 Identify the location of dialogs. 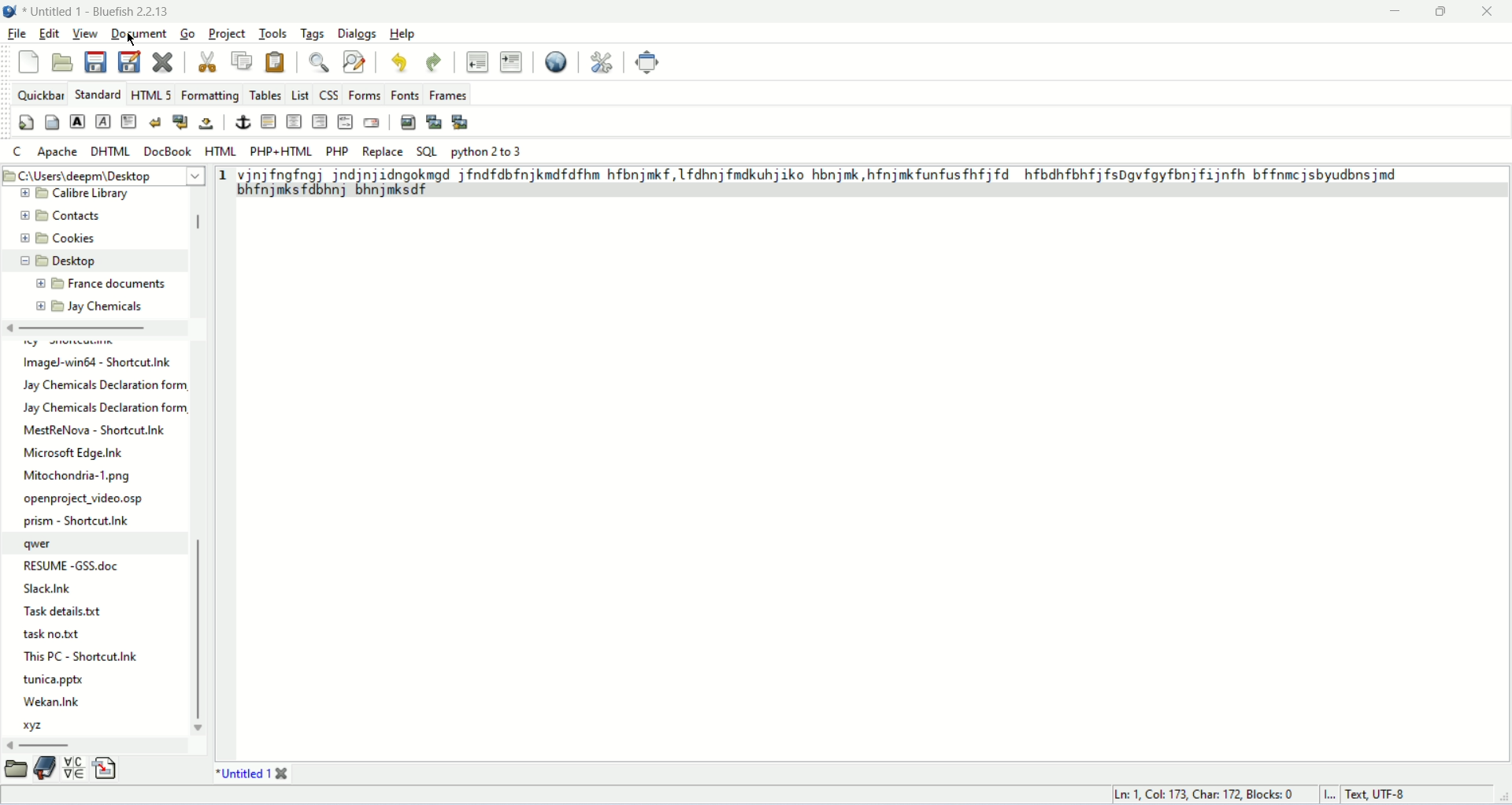
(358, 35).